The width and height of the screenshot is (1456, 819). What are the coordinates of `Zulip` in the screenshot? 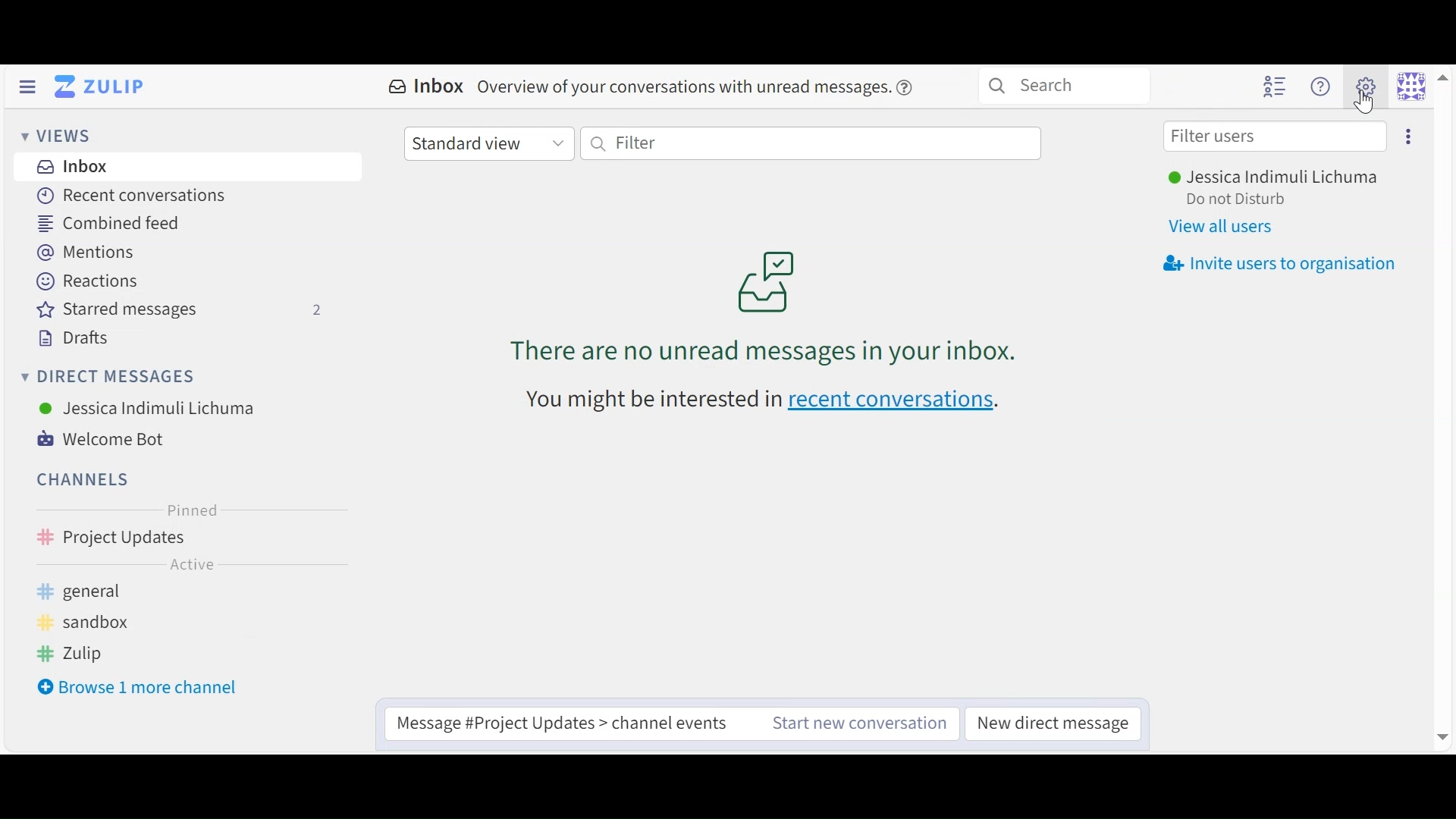 It's located at (74, 656).